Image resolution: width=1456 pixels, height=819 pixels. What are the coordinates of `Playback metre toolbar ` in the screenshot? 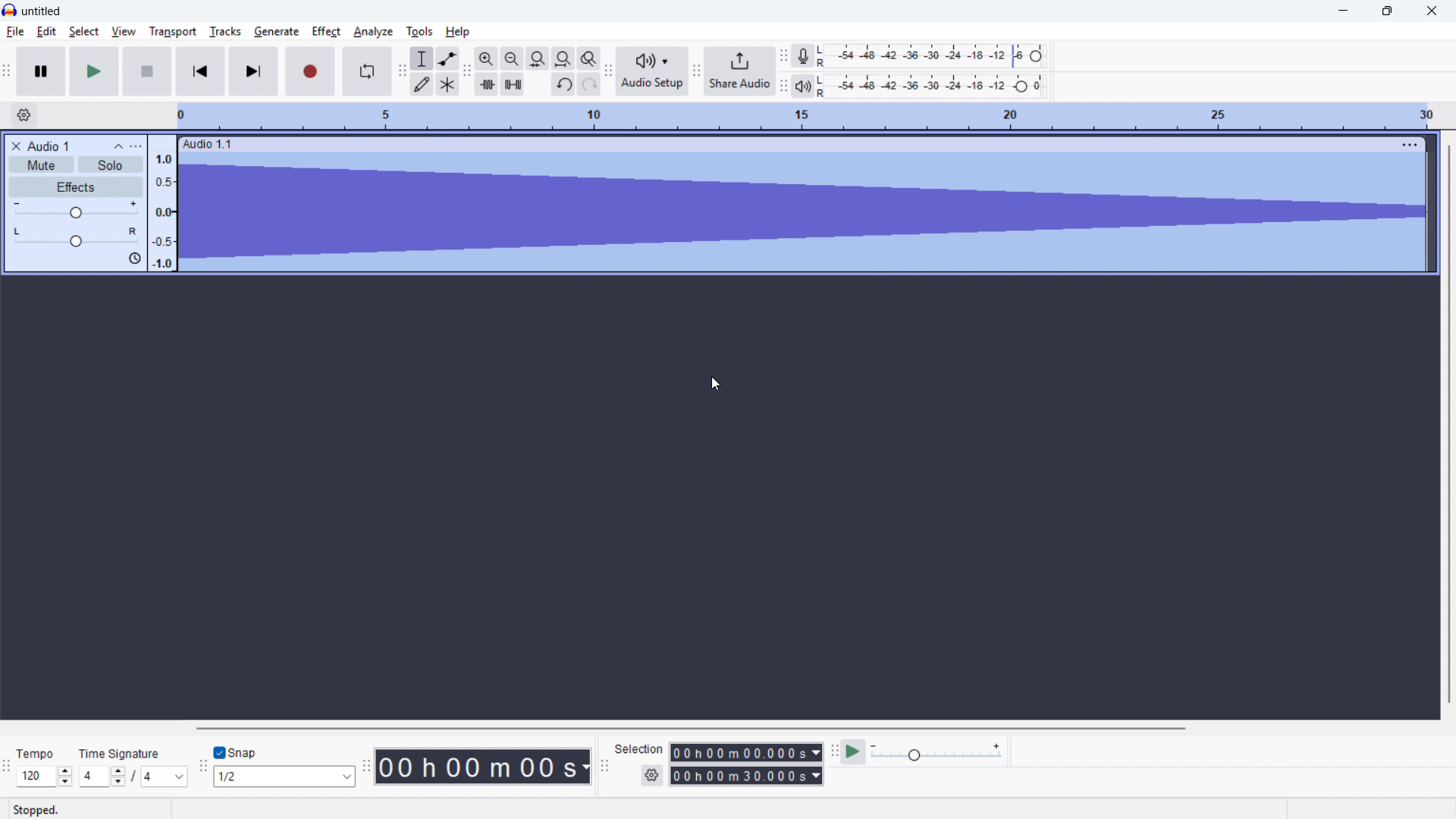 It's located at (783, 86).